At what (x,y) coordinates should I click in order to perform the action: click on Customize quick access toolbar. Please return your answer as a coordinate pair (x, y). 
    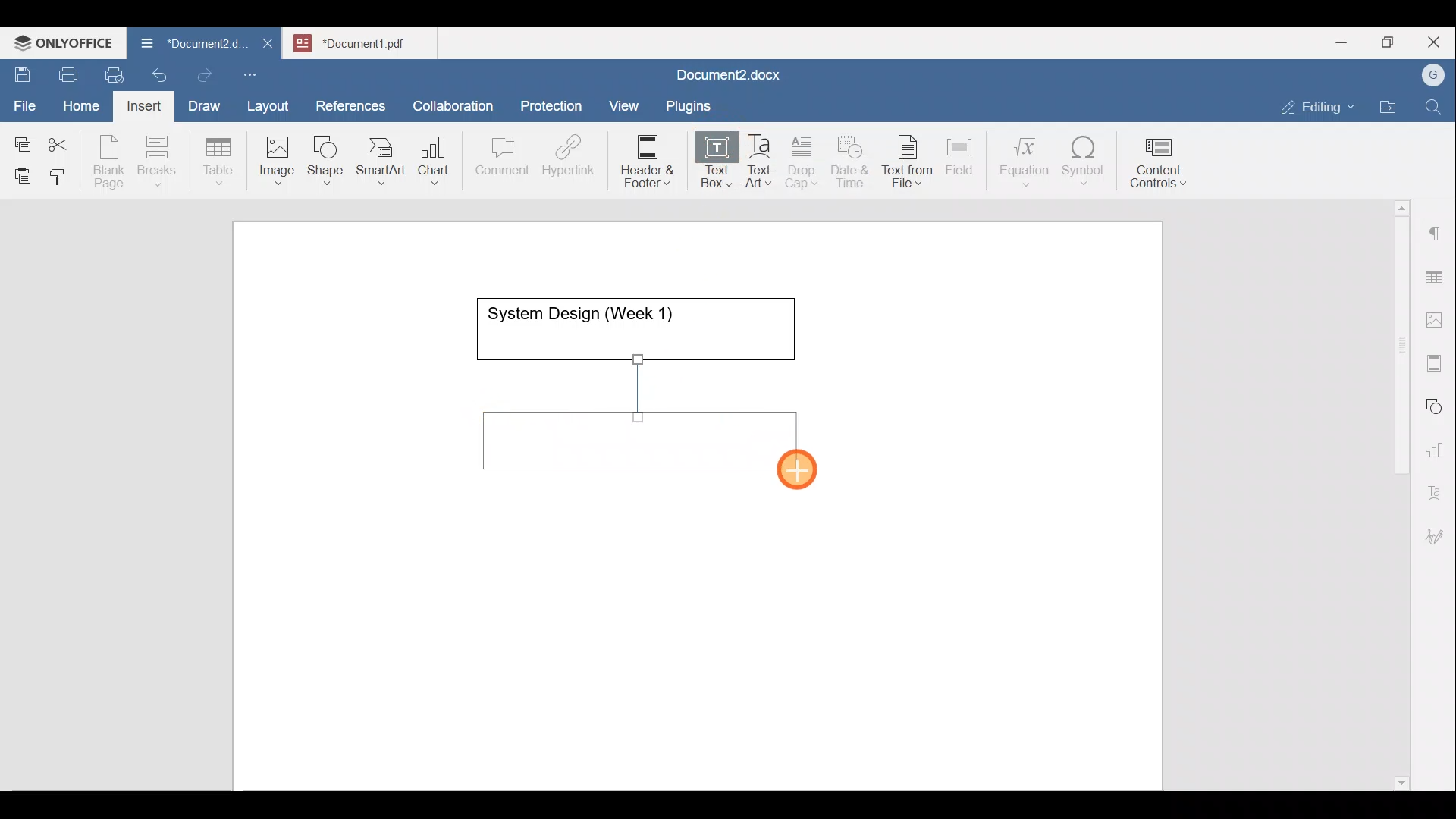
    Looking at the image, I should click on (256, 72).